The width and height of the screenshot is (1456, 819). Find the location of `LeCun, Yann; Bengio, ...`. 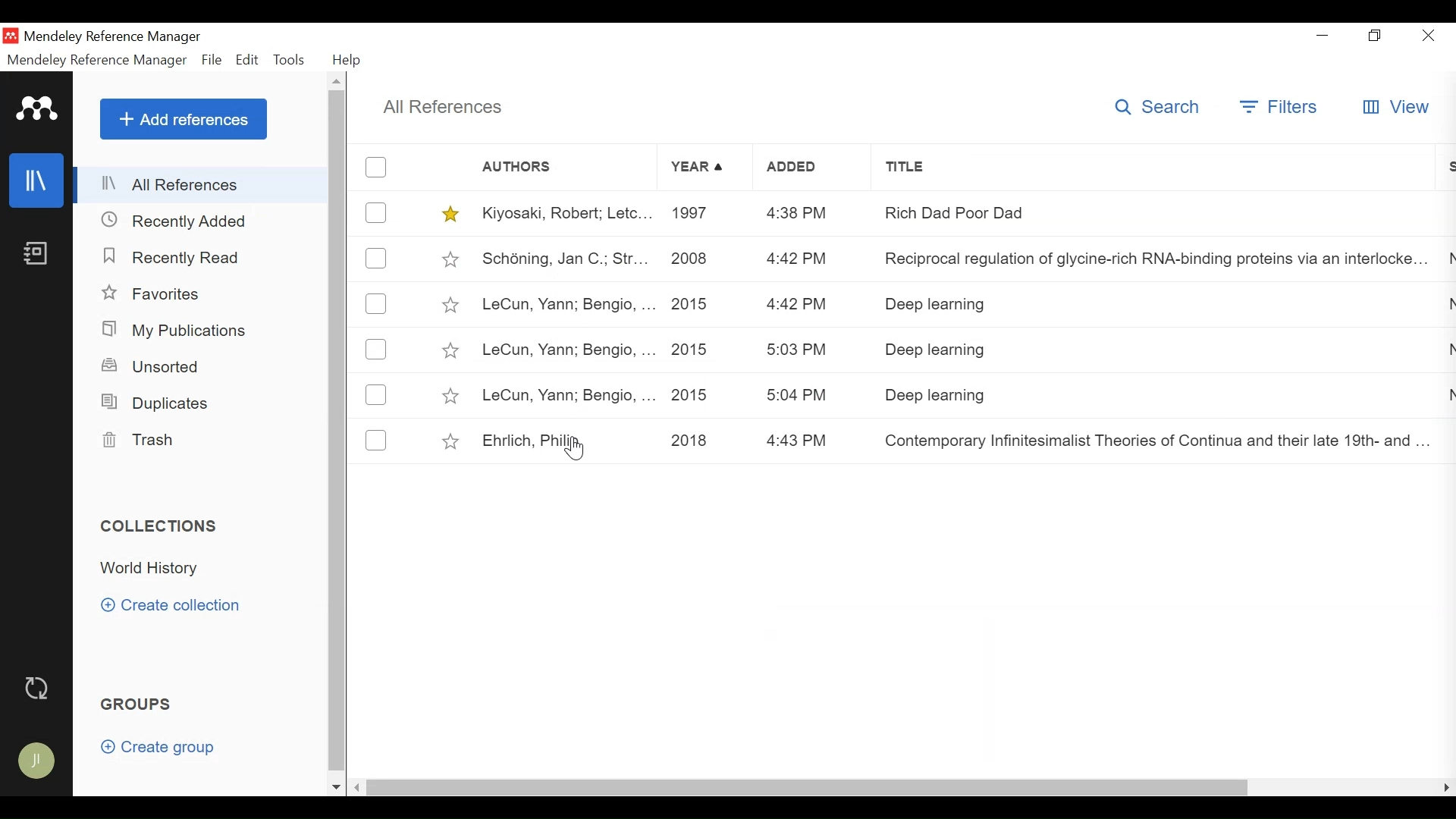

LeCun, Yann; Bengio, ... is located at coordinates (567, 394).